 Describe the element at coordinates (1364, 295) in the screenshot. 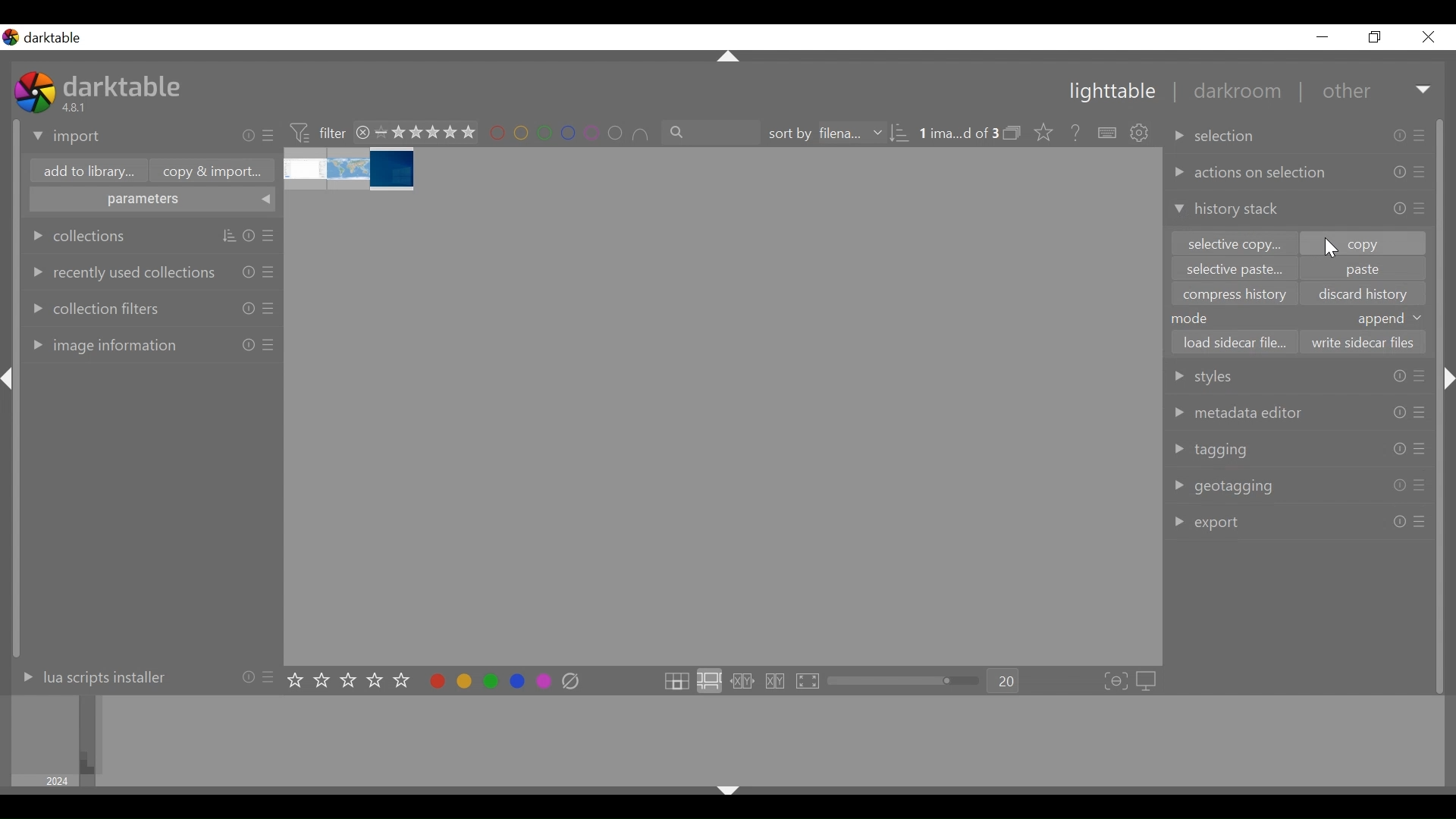

I see `discard history` at that location.